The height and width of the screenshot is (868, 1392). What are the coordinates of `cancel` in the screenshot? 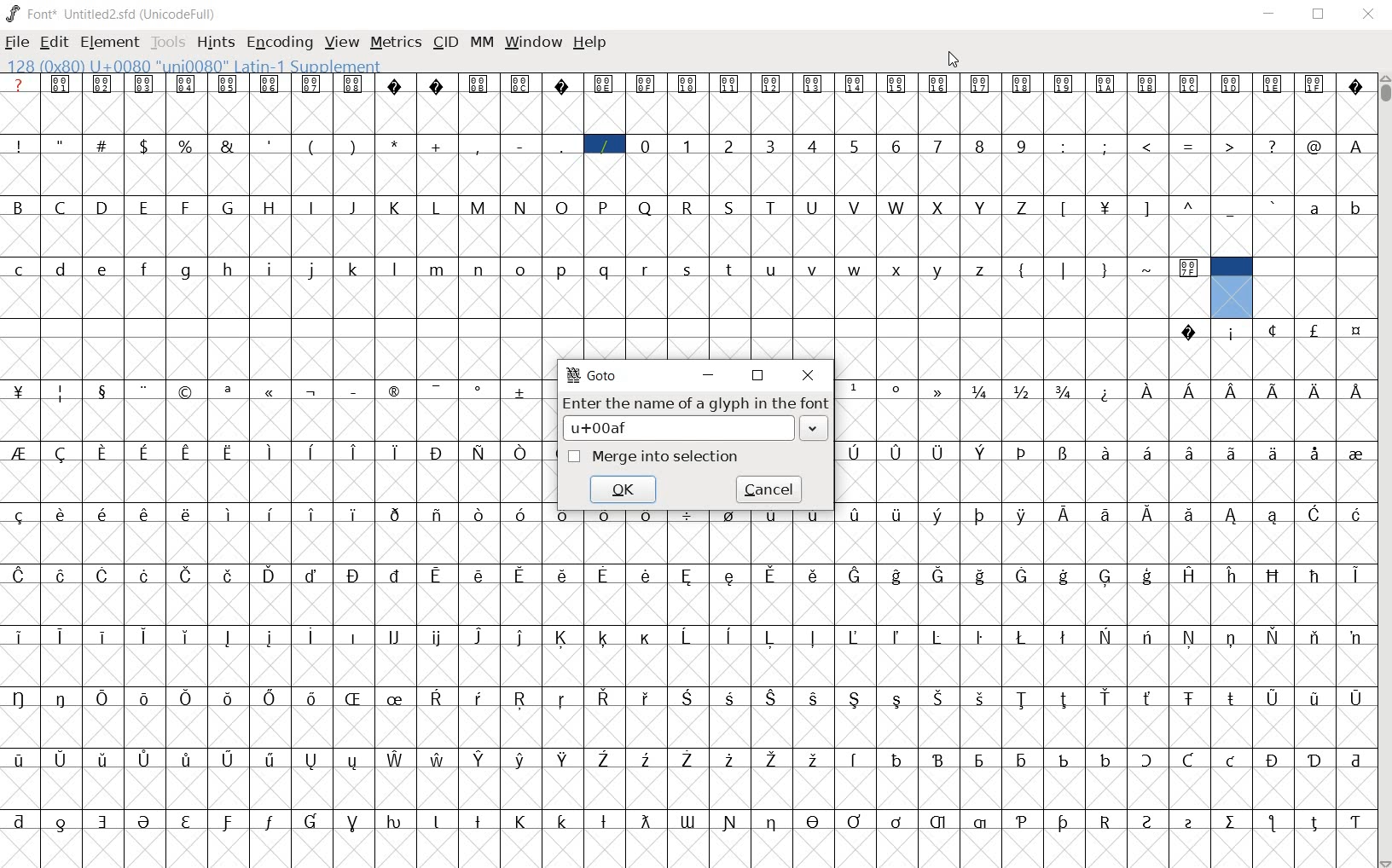 It's located at (769, 488).